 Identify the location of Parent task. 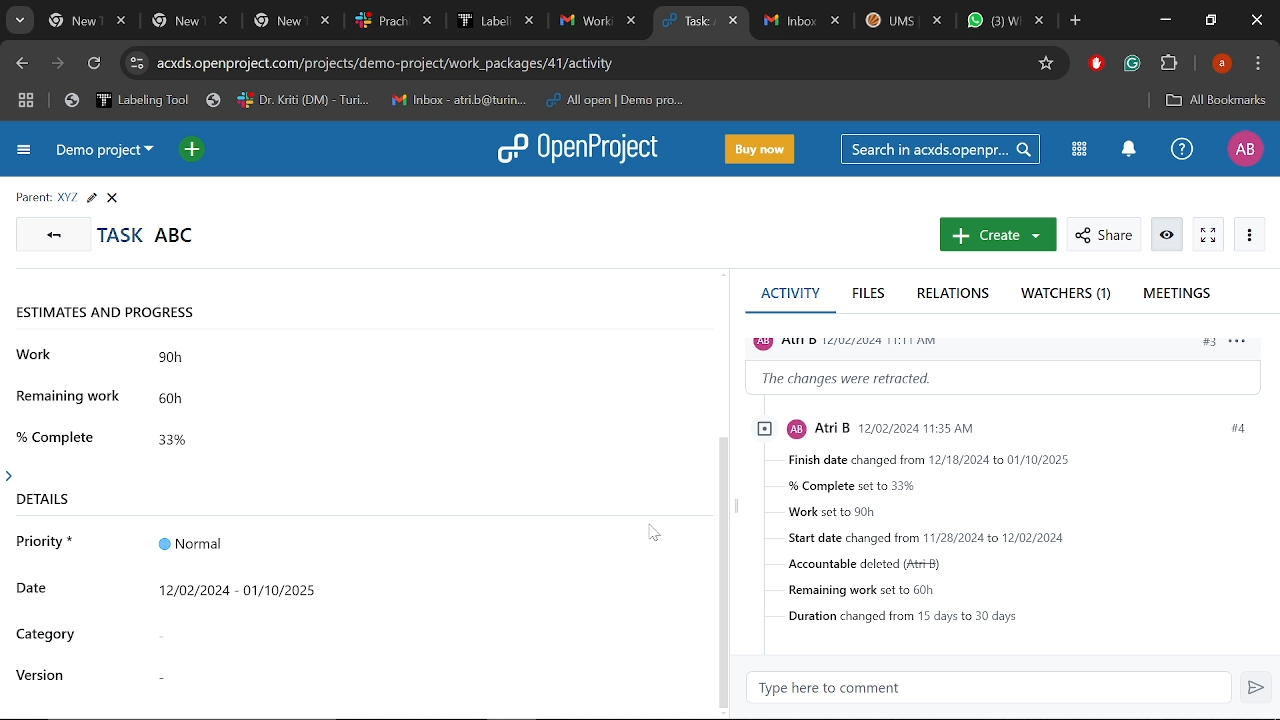
(68, 198).